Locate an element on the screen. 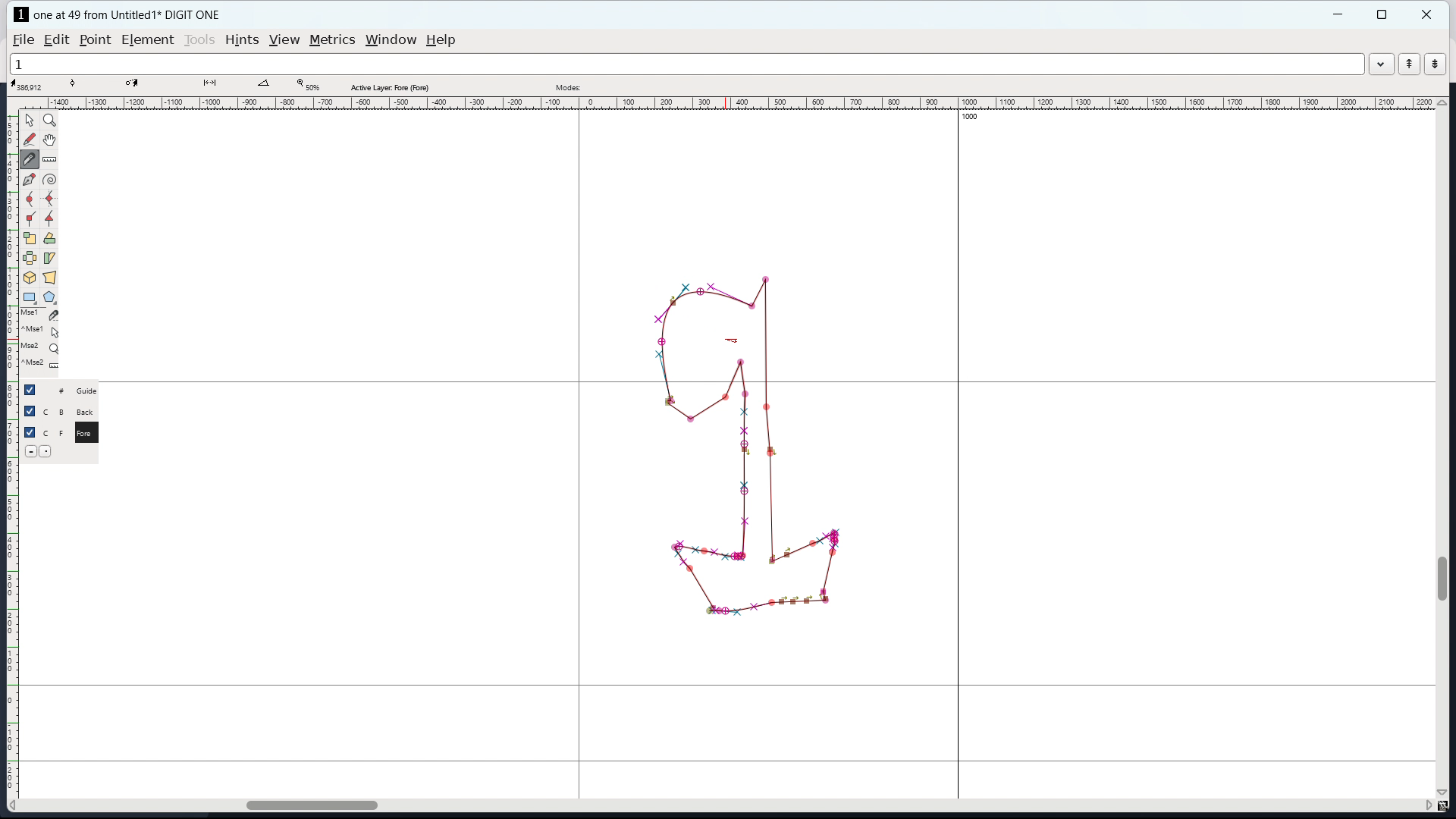 Image resolution: width=1456 pixels, height=819 pixels. polygon or star is located at coordinates (49, 297).